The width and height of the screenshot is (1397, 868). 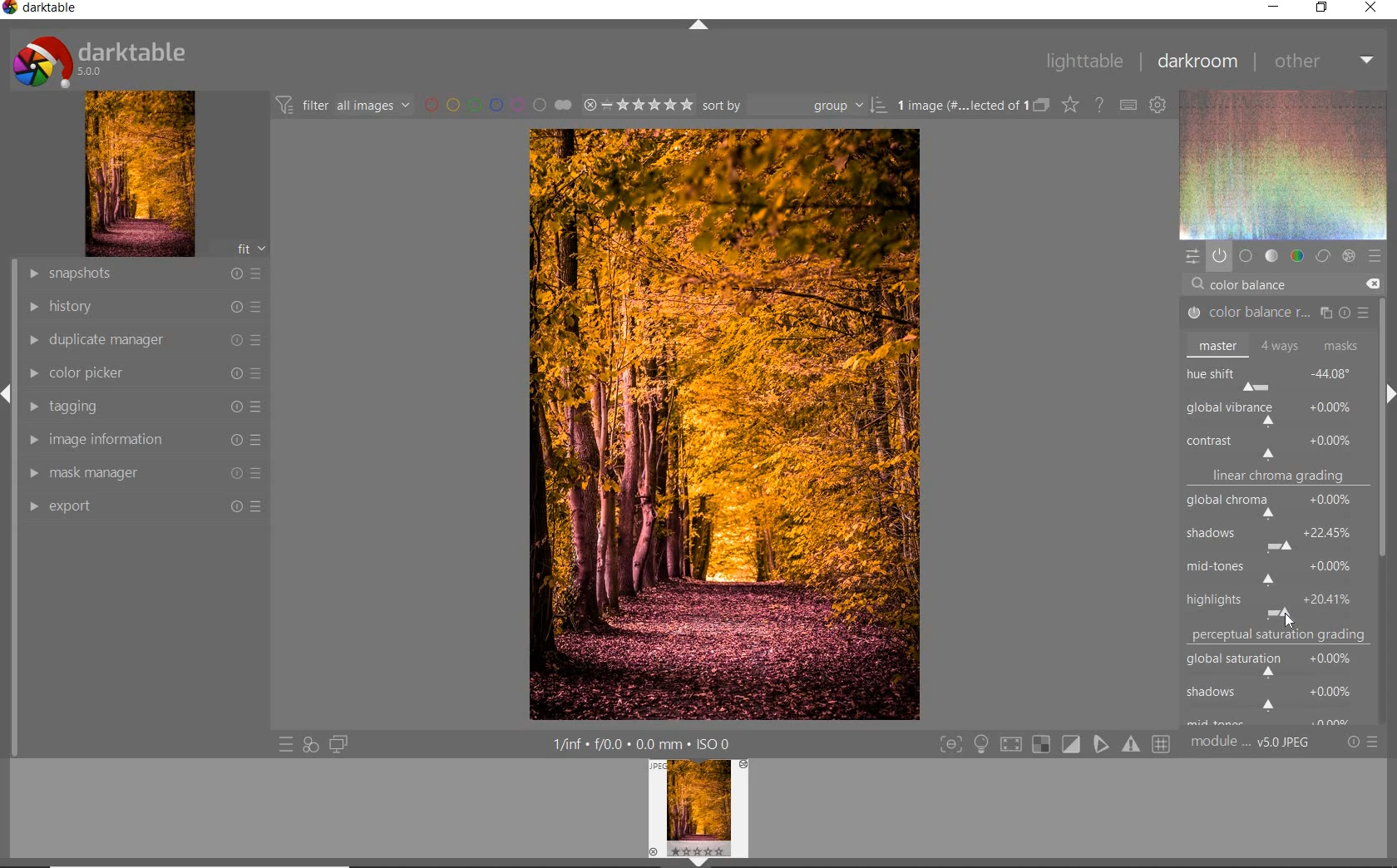 I want to click on tone, so click(x=1271, y=257).